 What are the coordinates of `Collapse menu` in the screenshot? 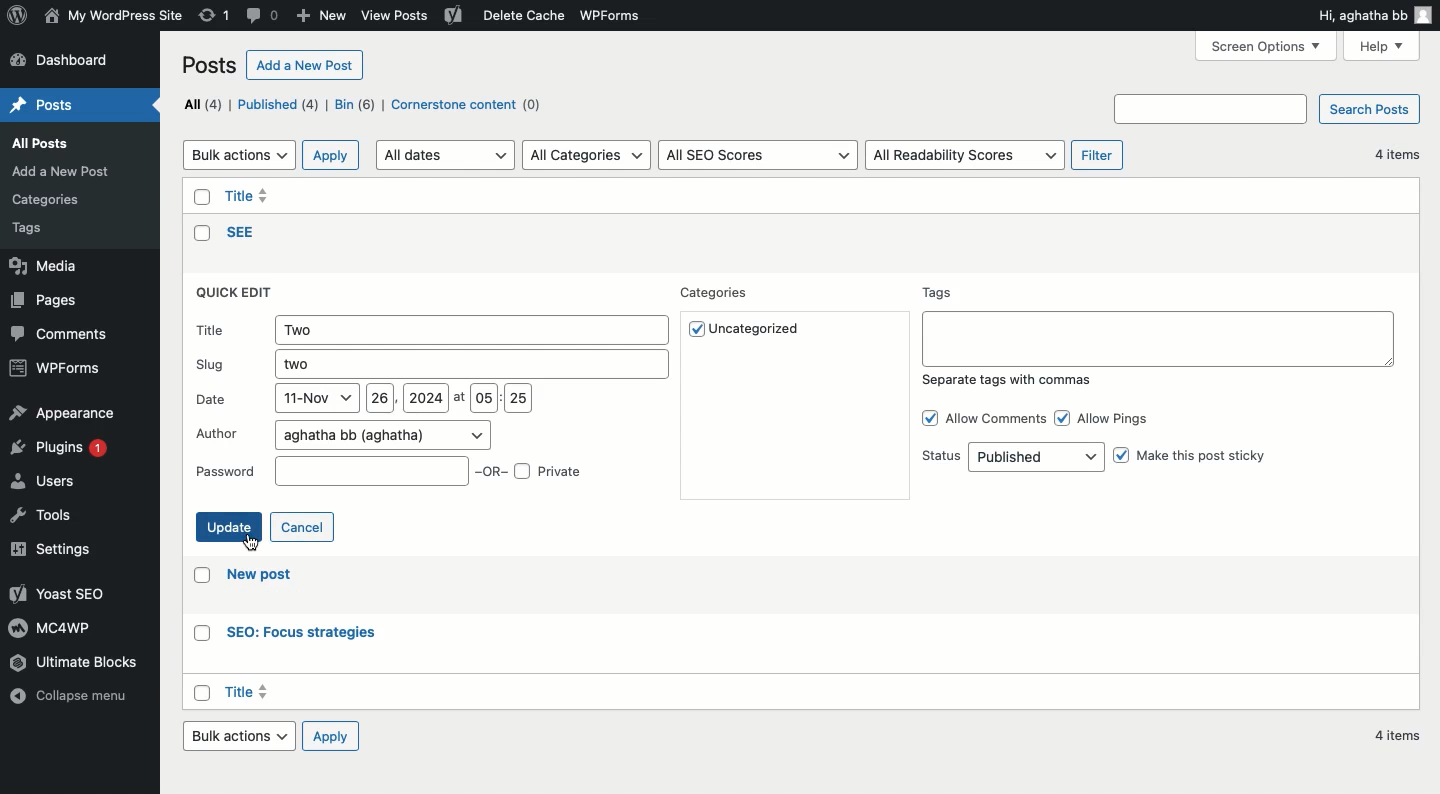 It's located at (72, 706).